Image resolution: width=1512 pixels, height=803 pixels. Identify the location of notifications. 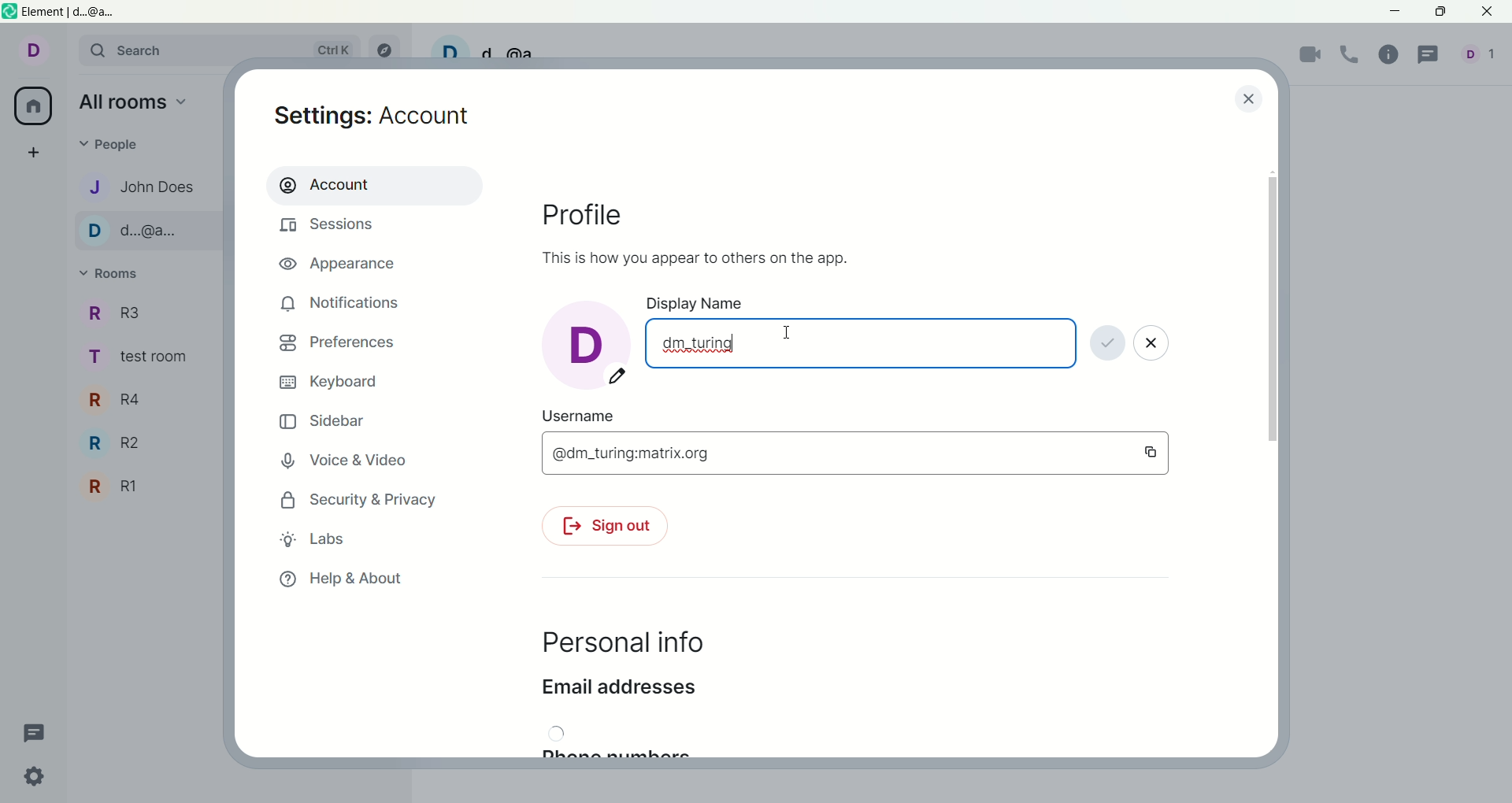
(341, 303).